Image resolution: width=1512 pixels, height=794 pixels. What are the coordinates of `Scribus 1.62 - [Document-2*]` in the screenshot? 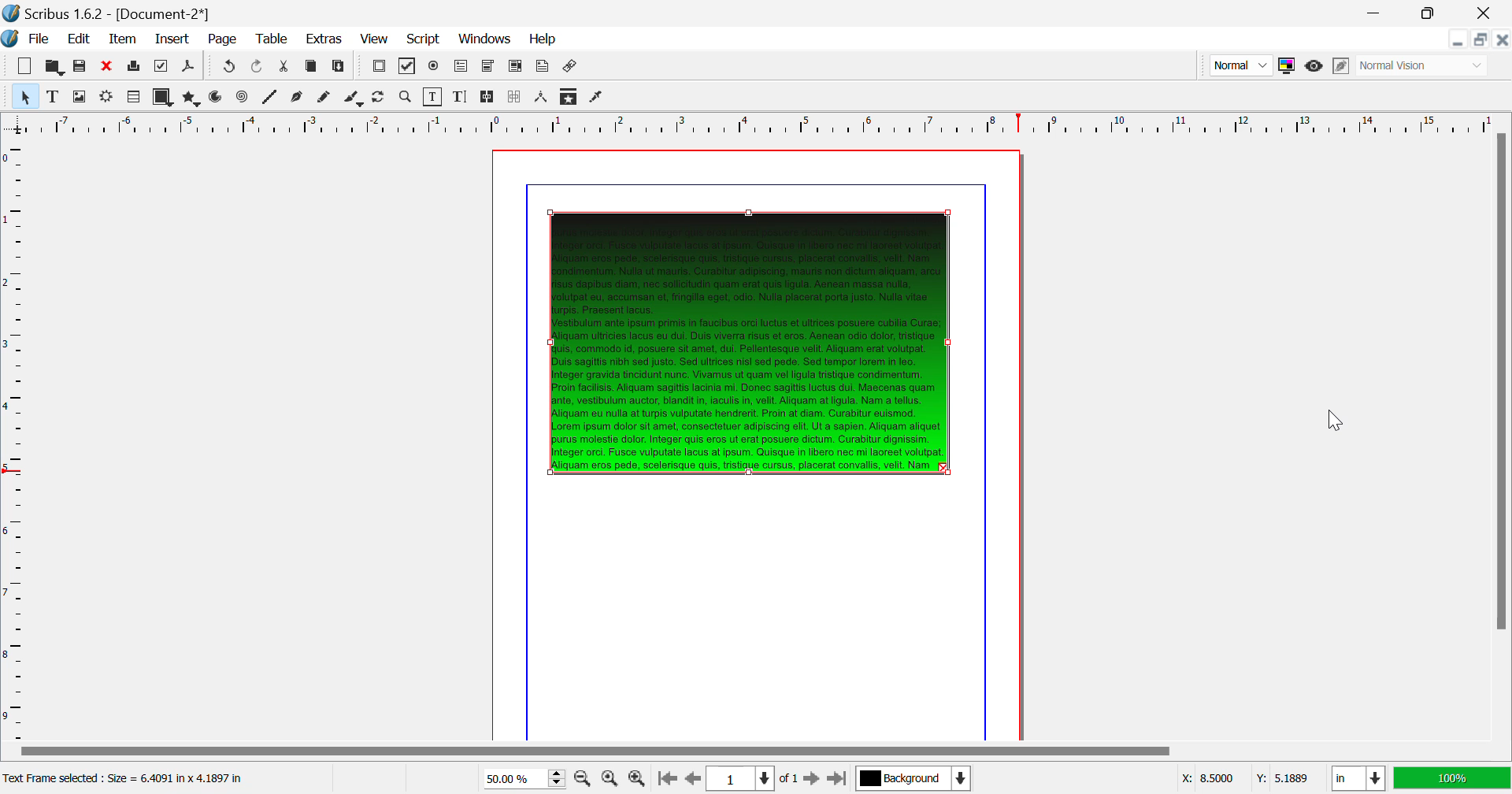 It's located at (108, 13).